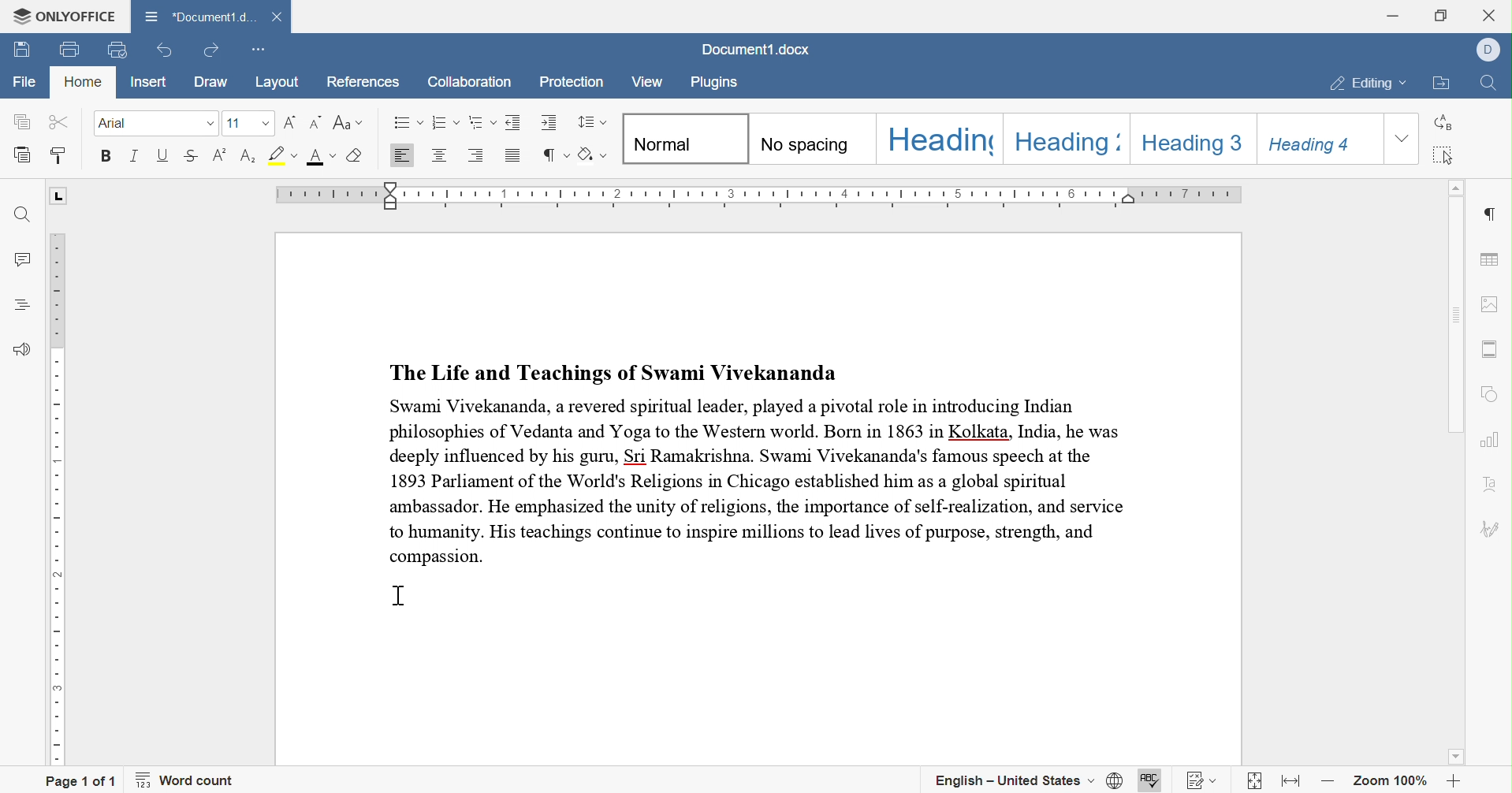 This screenshot has height=793, width=1512. What do you see at coordinates (113, 49) in the screenshot?
I see `quick print` at bounding box center [113, 49].